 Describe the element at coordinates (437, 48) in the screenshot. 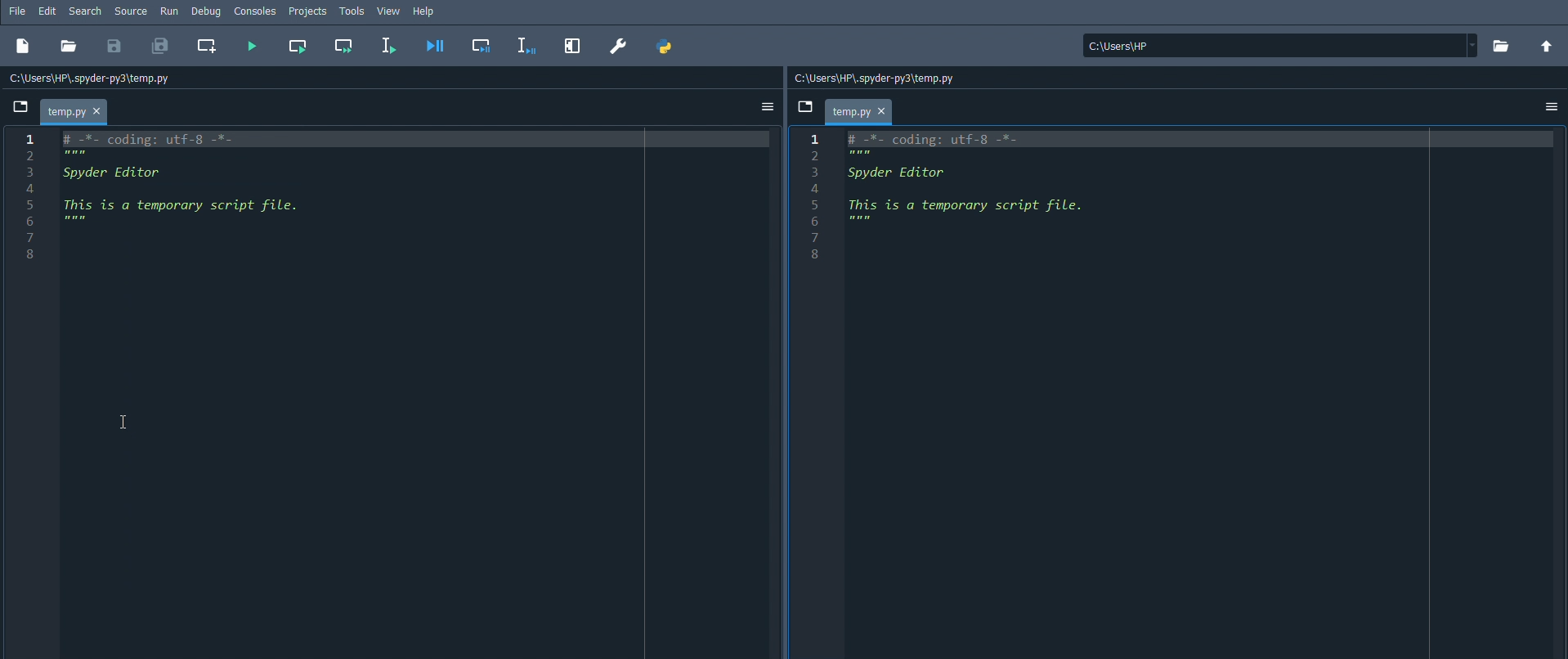

I see `Debug file` at that location.